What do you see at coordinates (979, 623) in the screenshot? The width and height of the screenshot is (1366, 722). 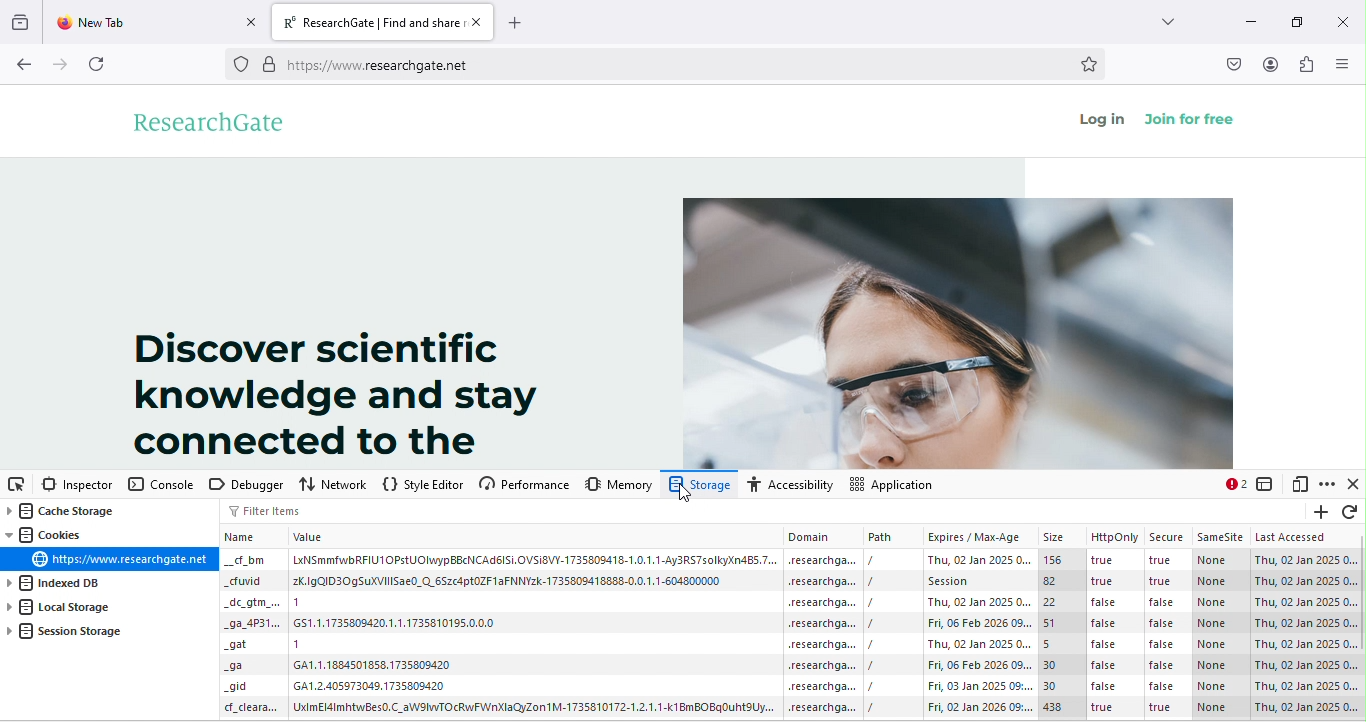 I see `date` at bounding box center [979, 623].